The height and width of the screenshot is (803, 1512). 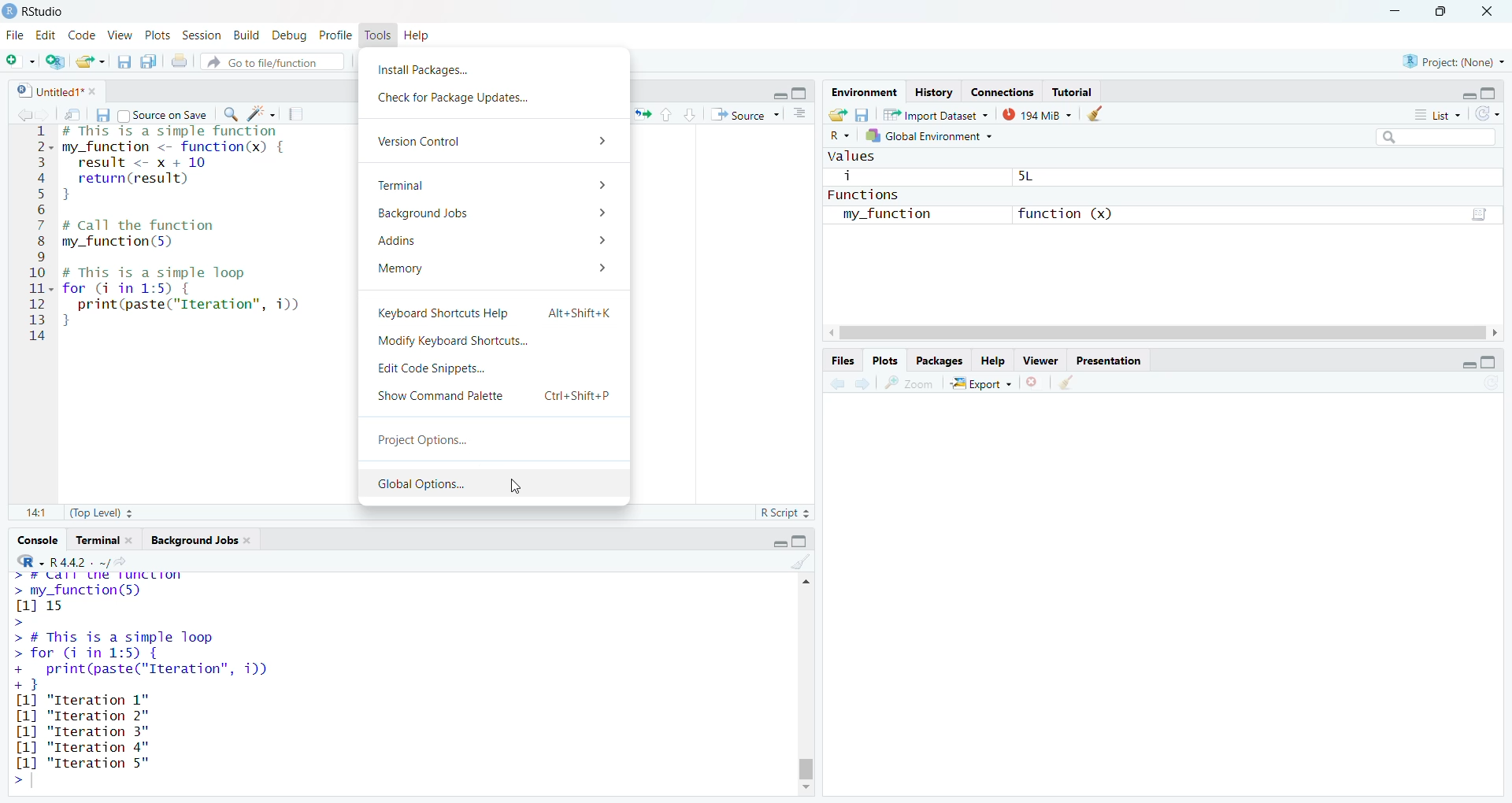 I want to click on debug, so click(x=290, y=33).